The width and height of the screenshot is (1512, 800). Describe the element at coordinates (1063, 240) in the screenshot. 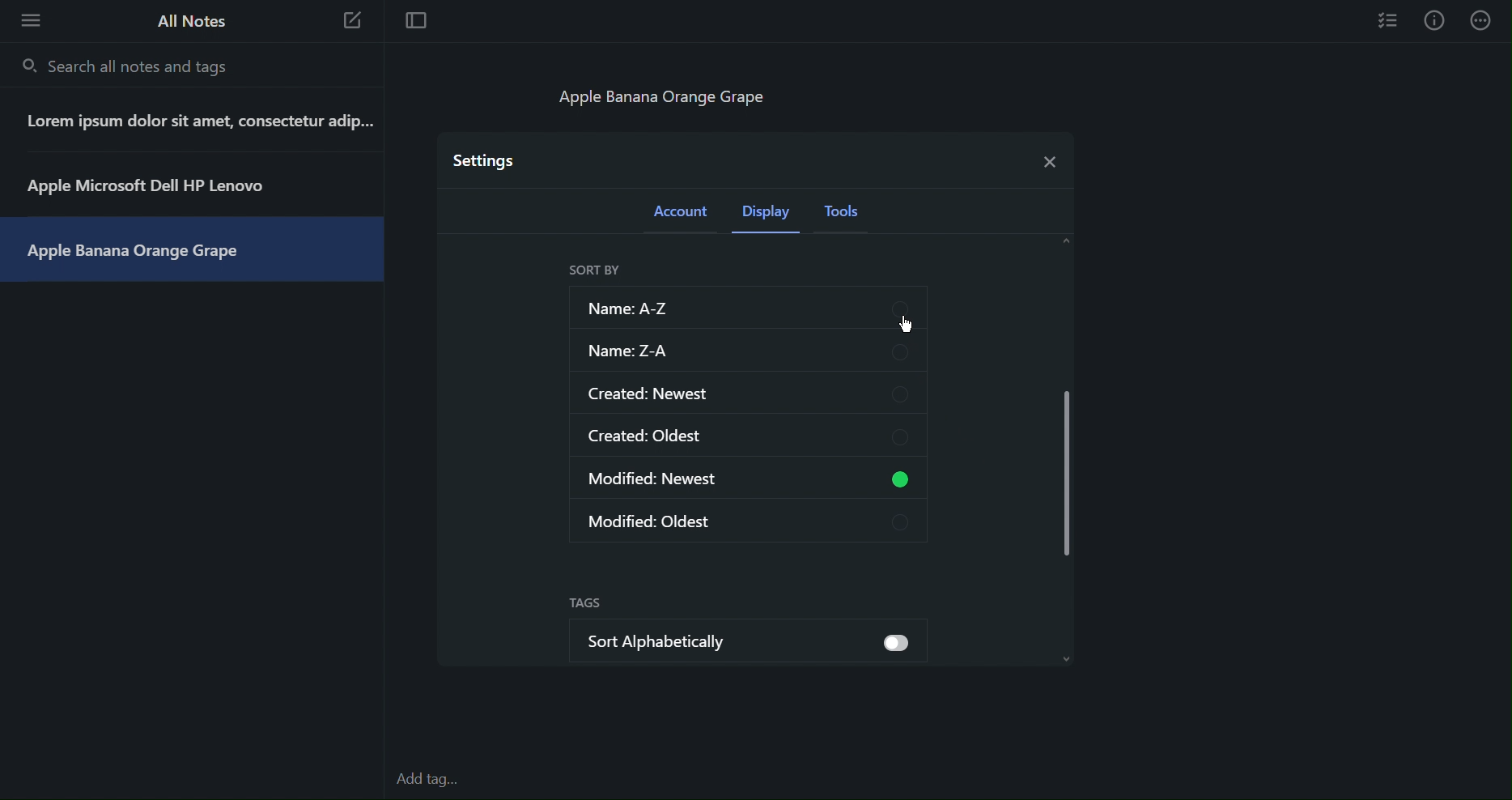

I see `scroll up` at that location.